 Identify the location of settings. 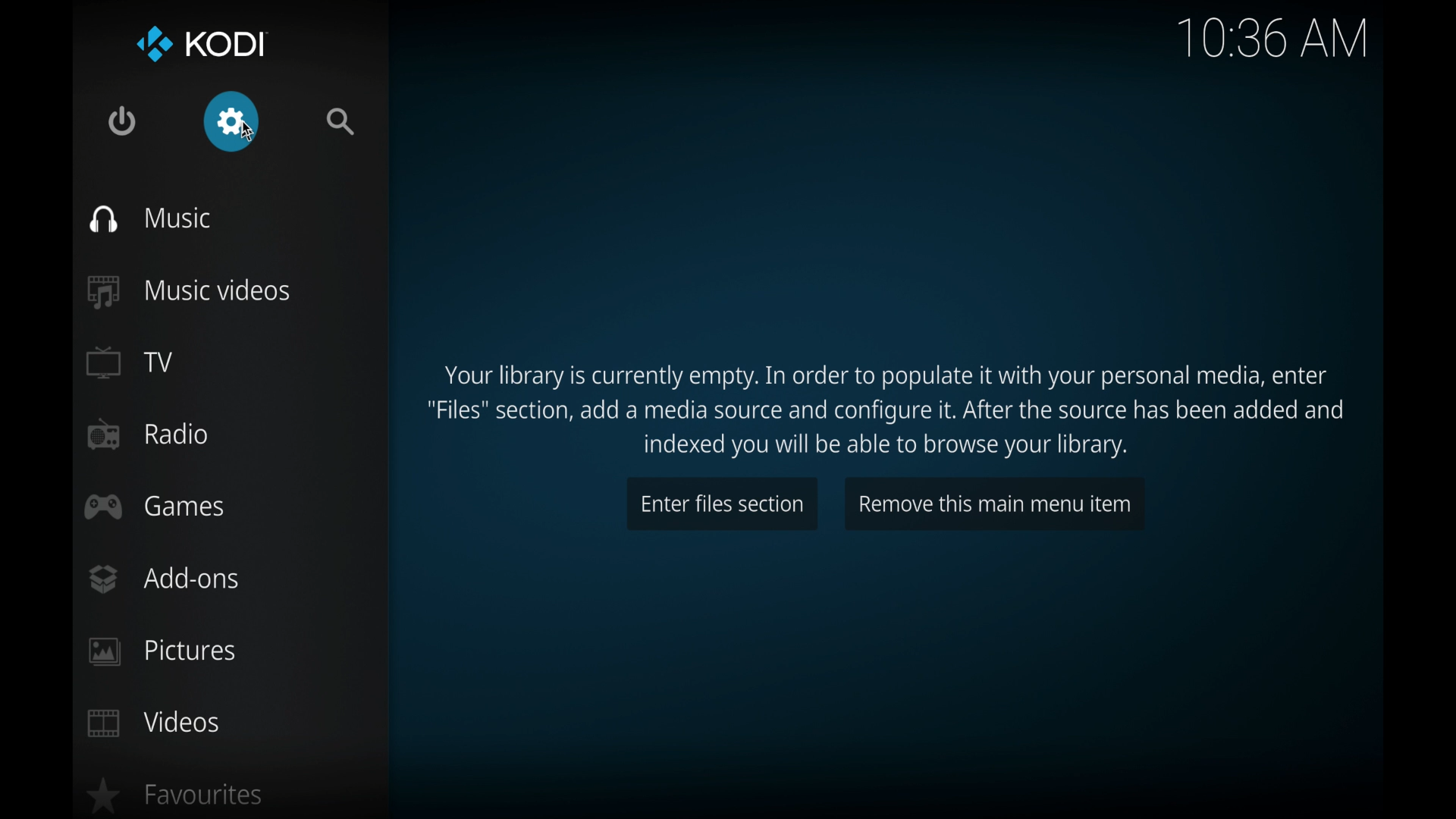
(229, 122).